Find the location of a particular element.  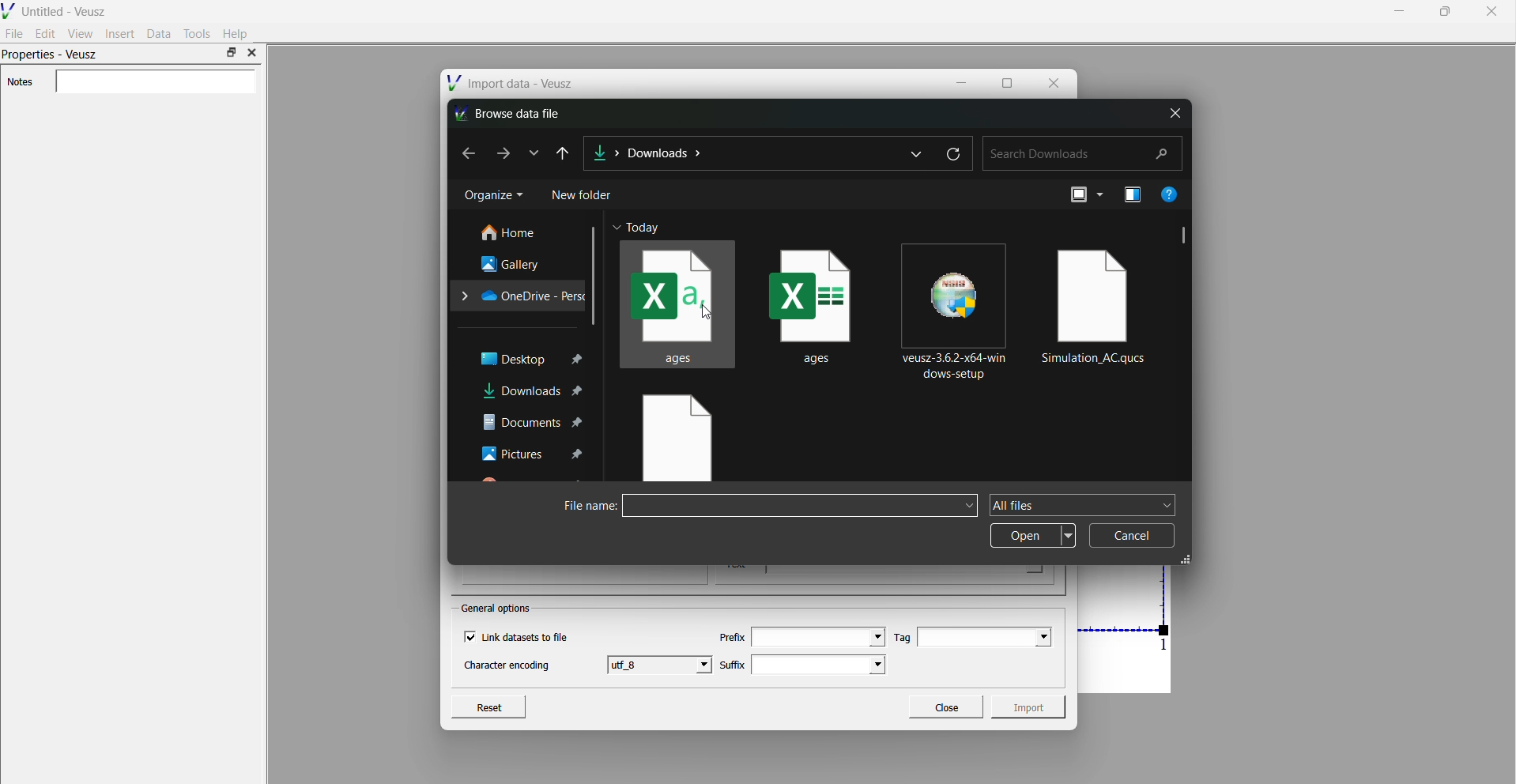

Import data - Veusz is located at coordinates (512, 83).